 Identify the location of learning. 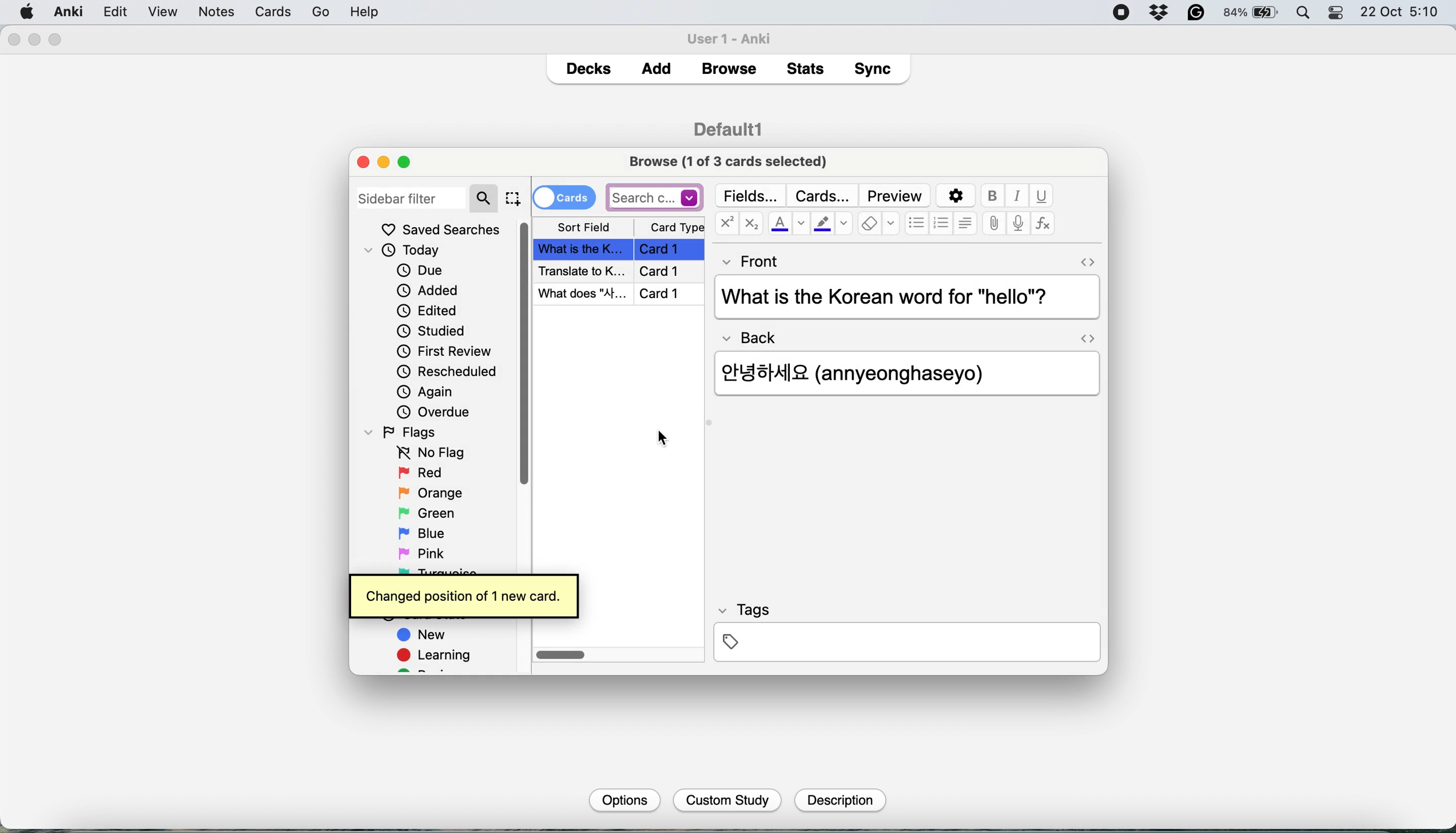
(438, 657).